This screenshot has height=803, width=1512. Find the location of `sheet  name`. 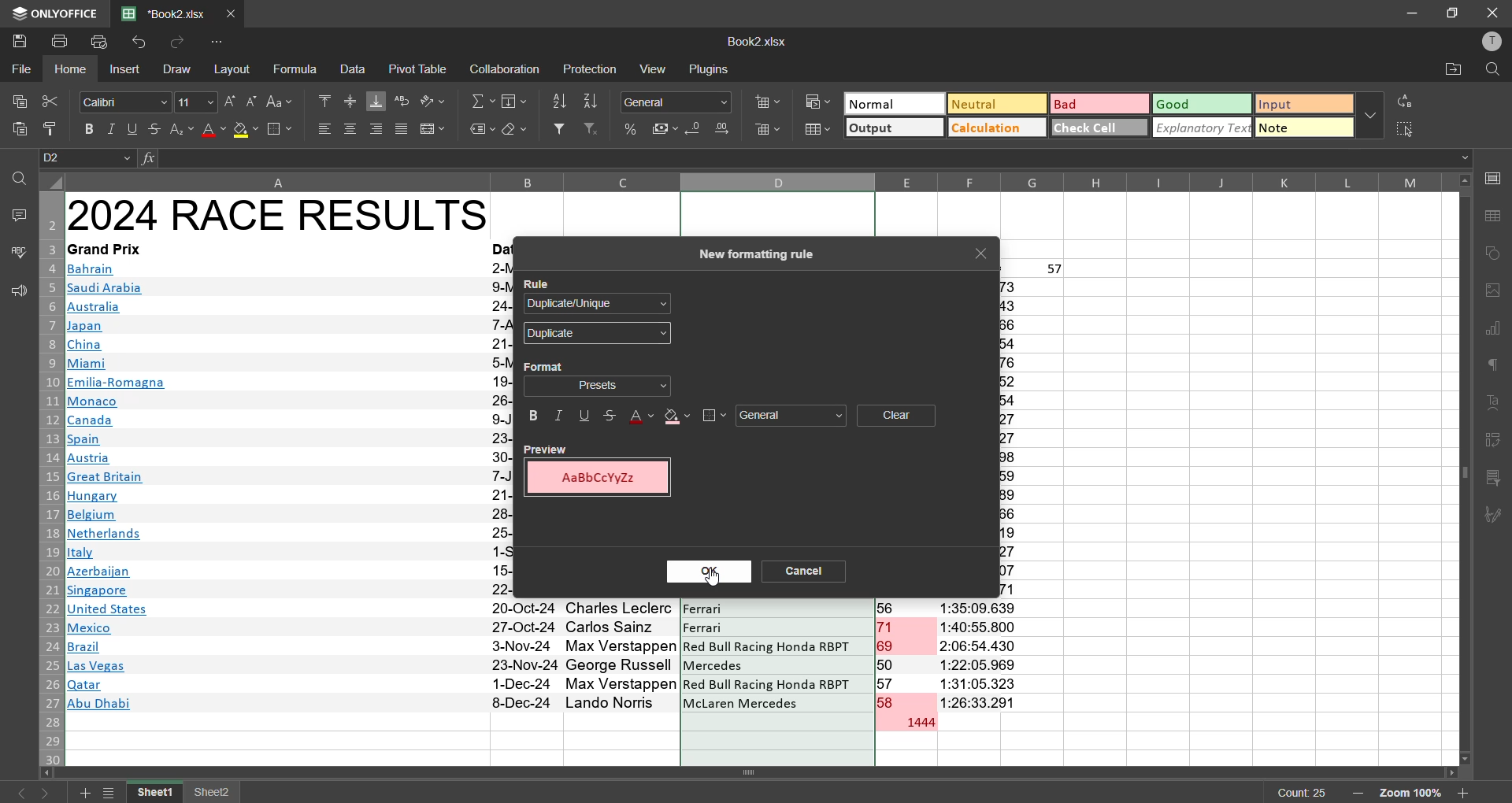

sheet  name is located at coordinates (213, 794).